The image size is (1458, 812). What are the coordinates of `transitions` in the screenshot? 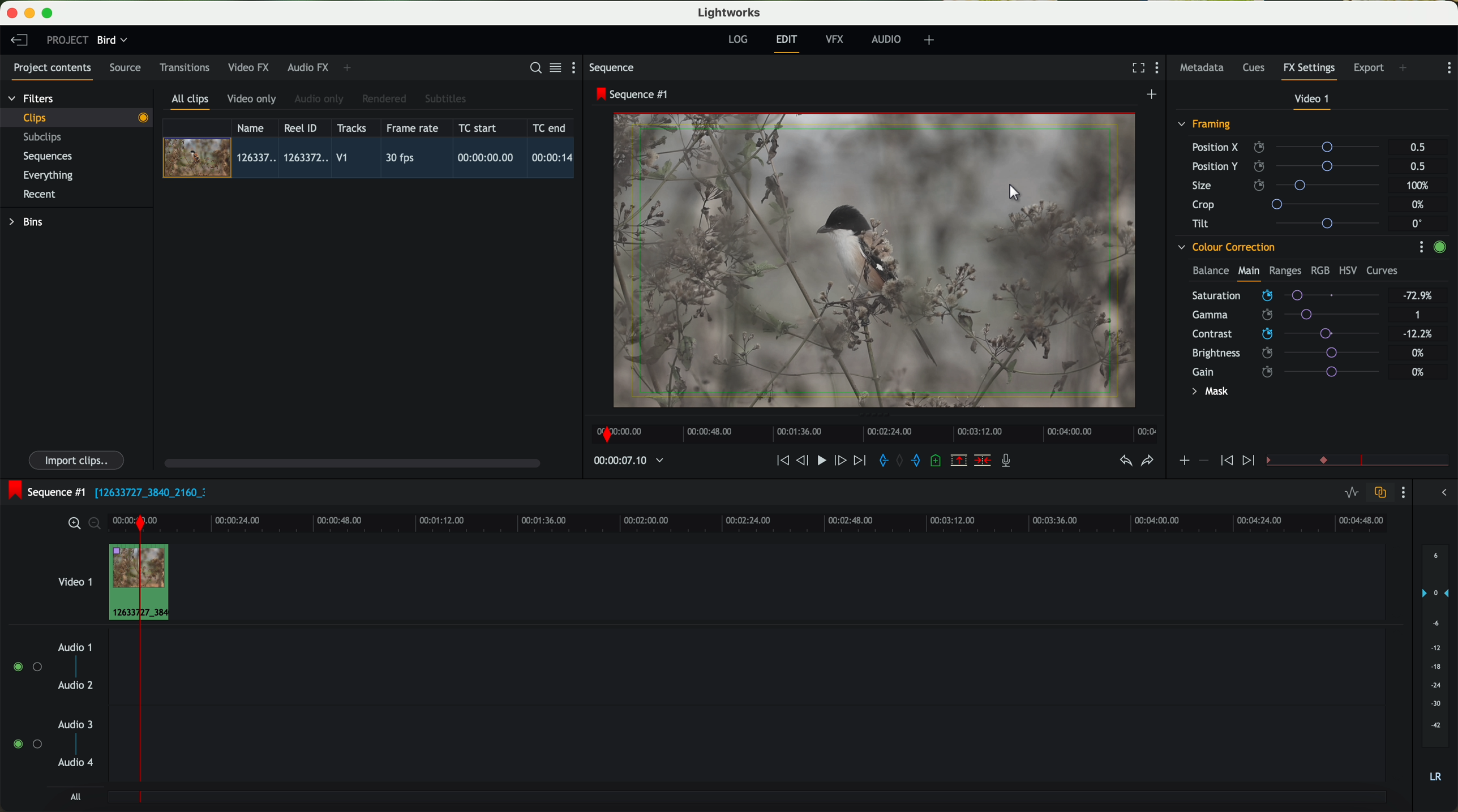 It's located at (184, 67).